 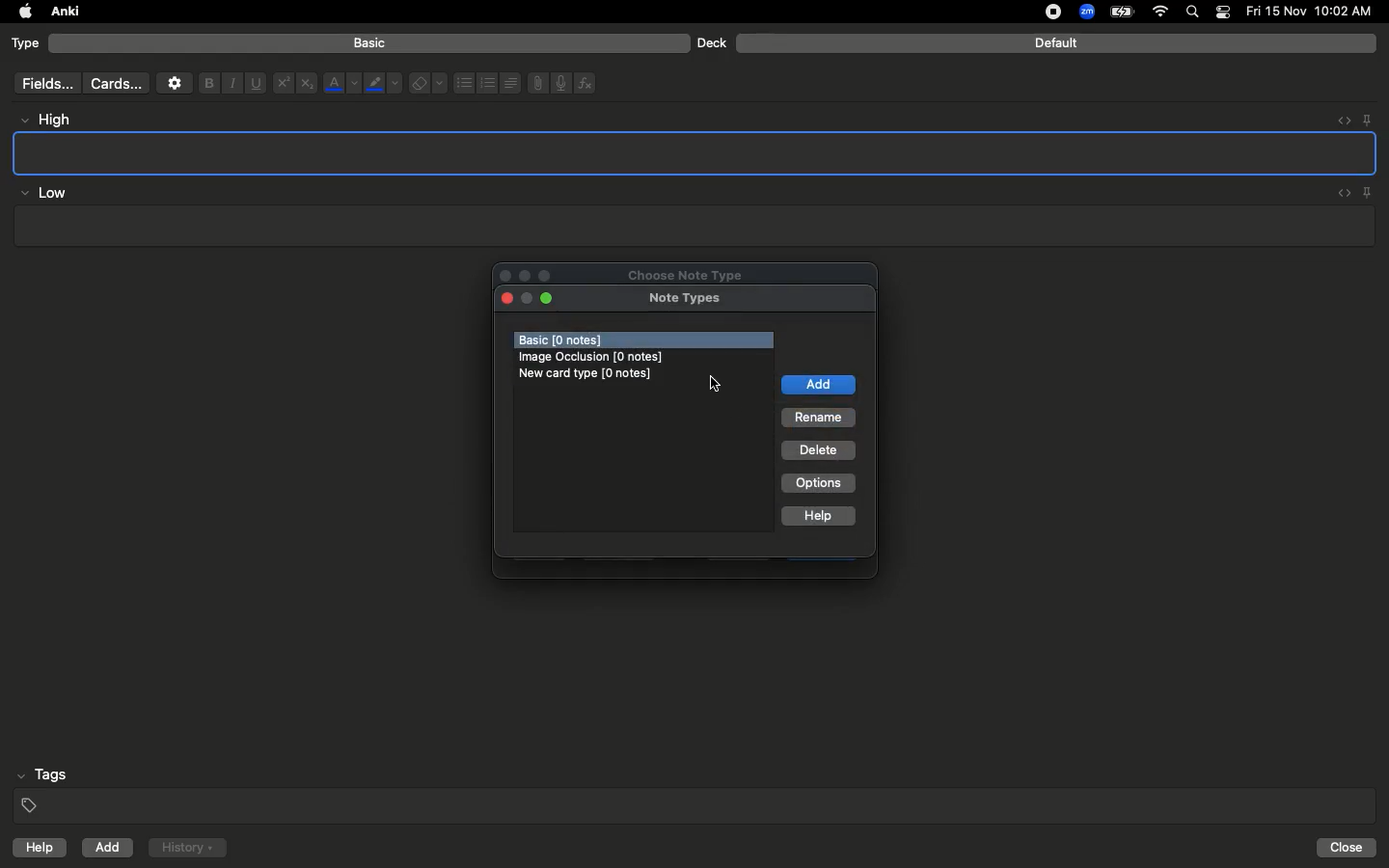 What do you see at coordinates (818, 483) in the screenshot?
I see `Options` at bounding box center [818, 483].